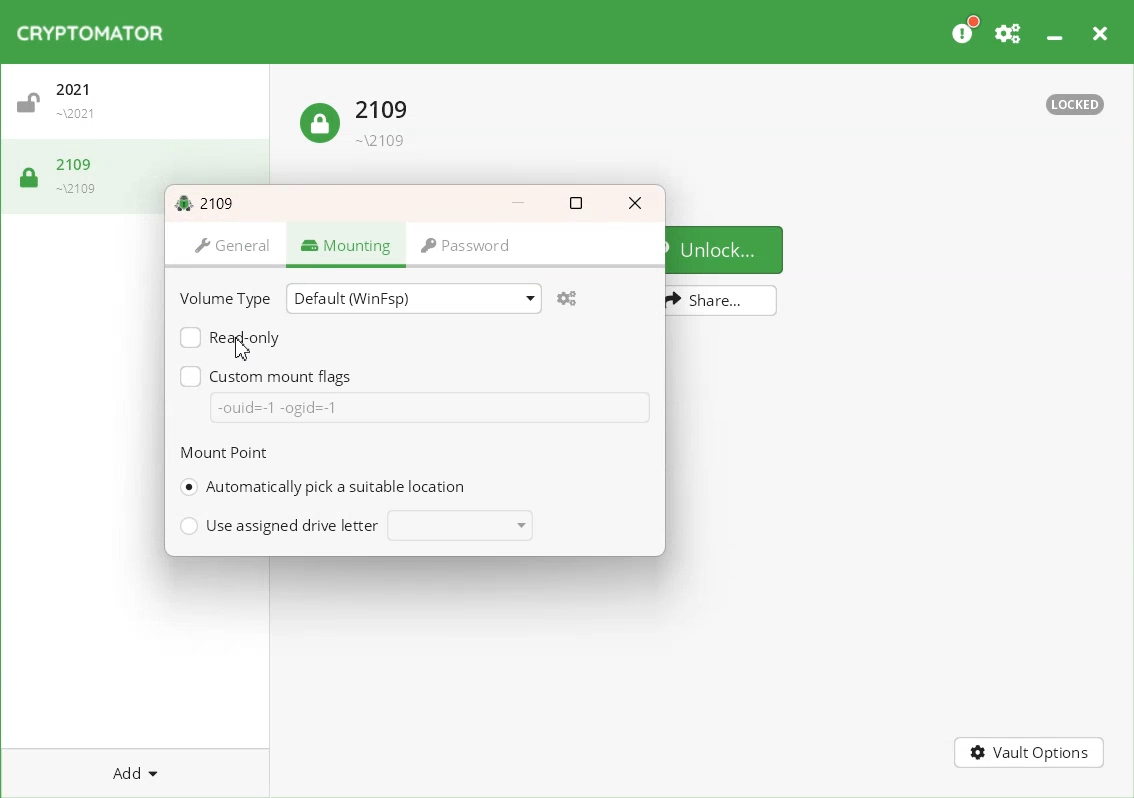 This screenshot has height=798, width=1134. I want to click on Please Consider donating, so click(965, 31).